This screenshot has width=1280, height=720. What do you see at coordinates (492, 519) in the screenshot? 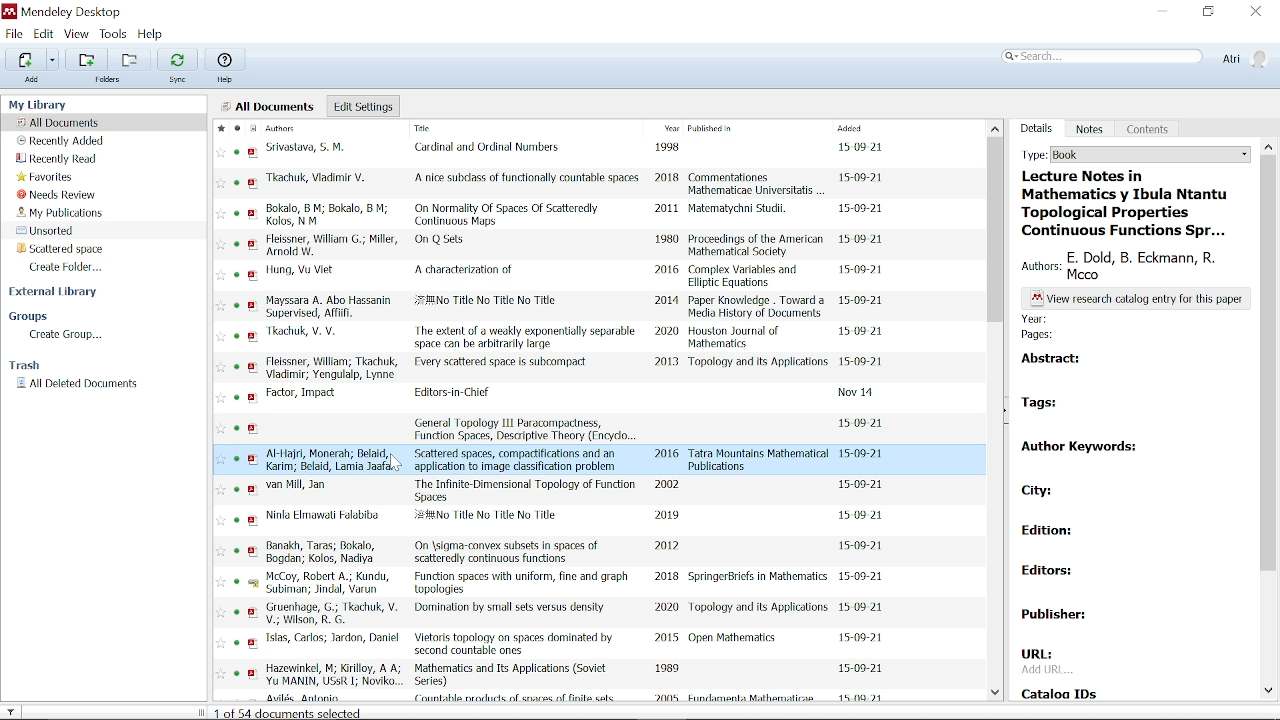
I see `title` at bounding box center [492, 519].